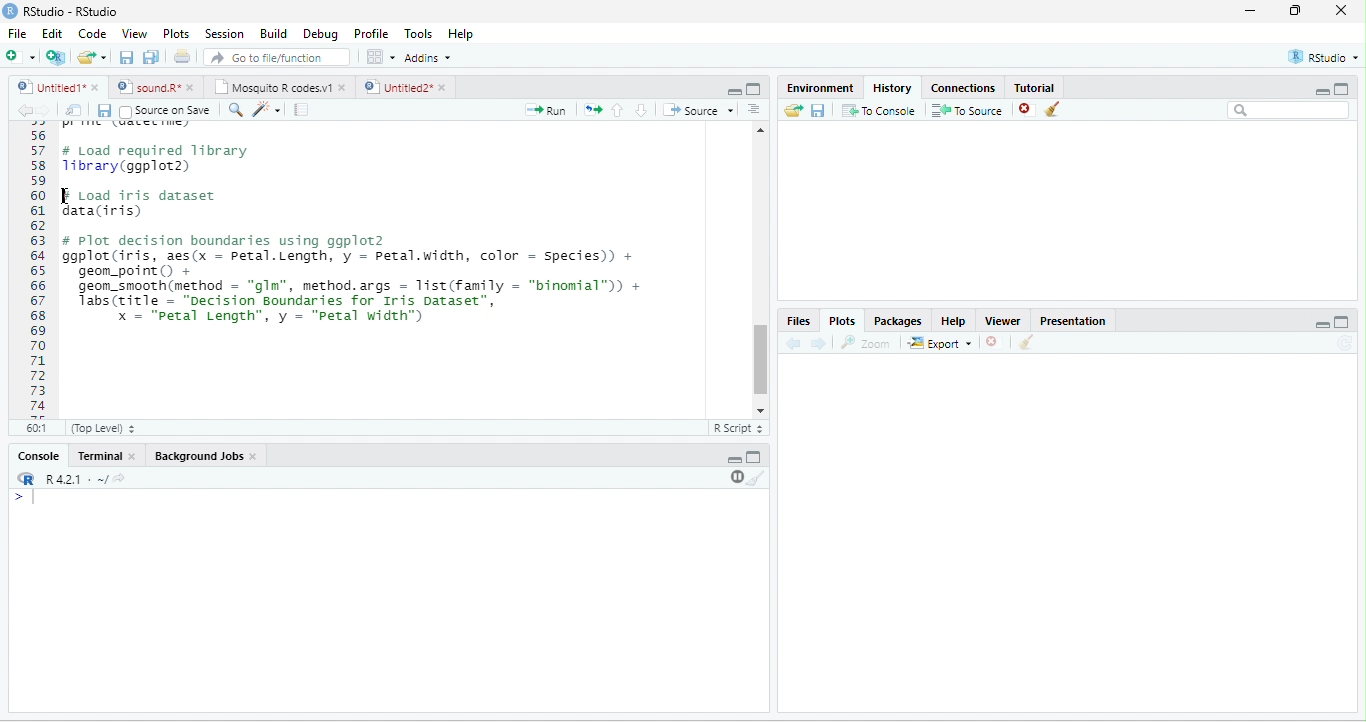  I want to click on logo, so click(9, 11).